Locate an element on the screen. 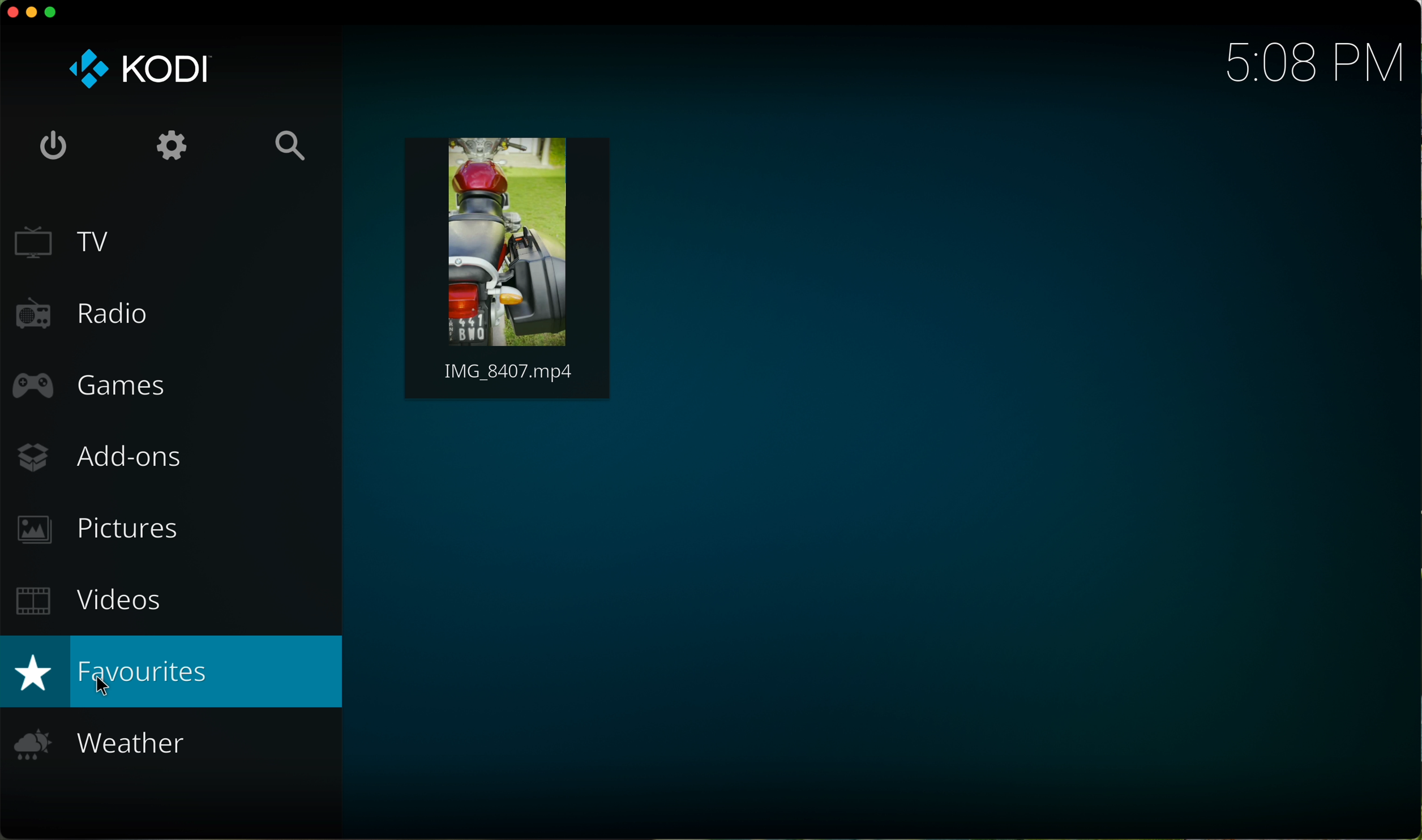  click on favourites is located at coordinates (175, 672).